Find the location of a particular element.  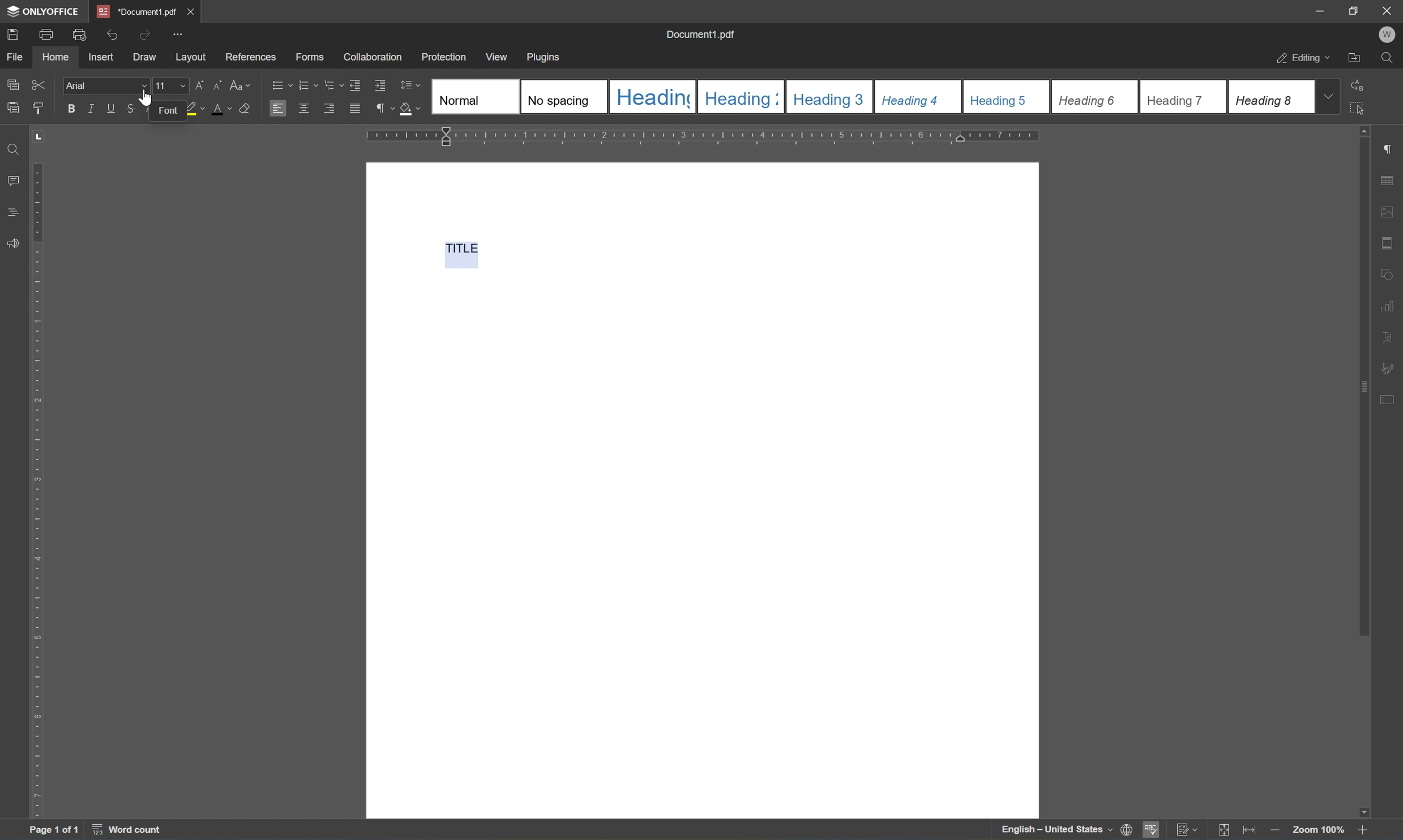

Zoom in is located at coordinates (1366, 830).